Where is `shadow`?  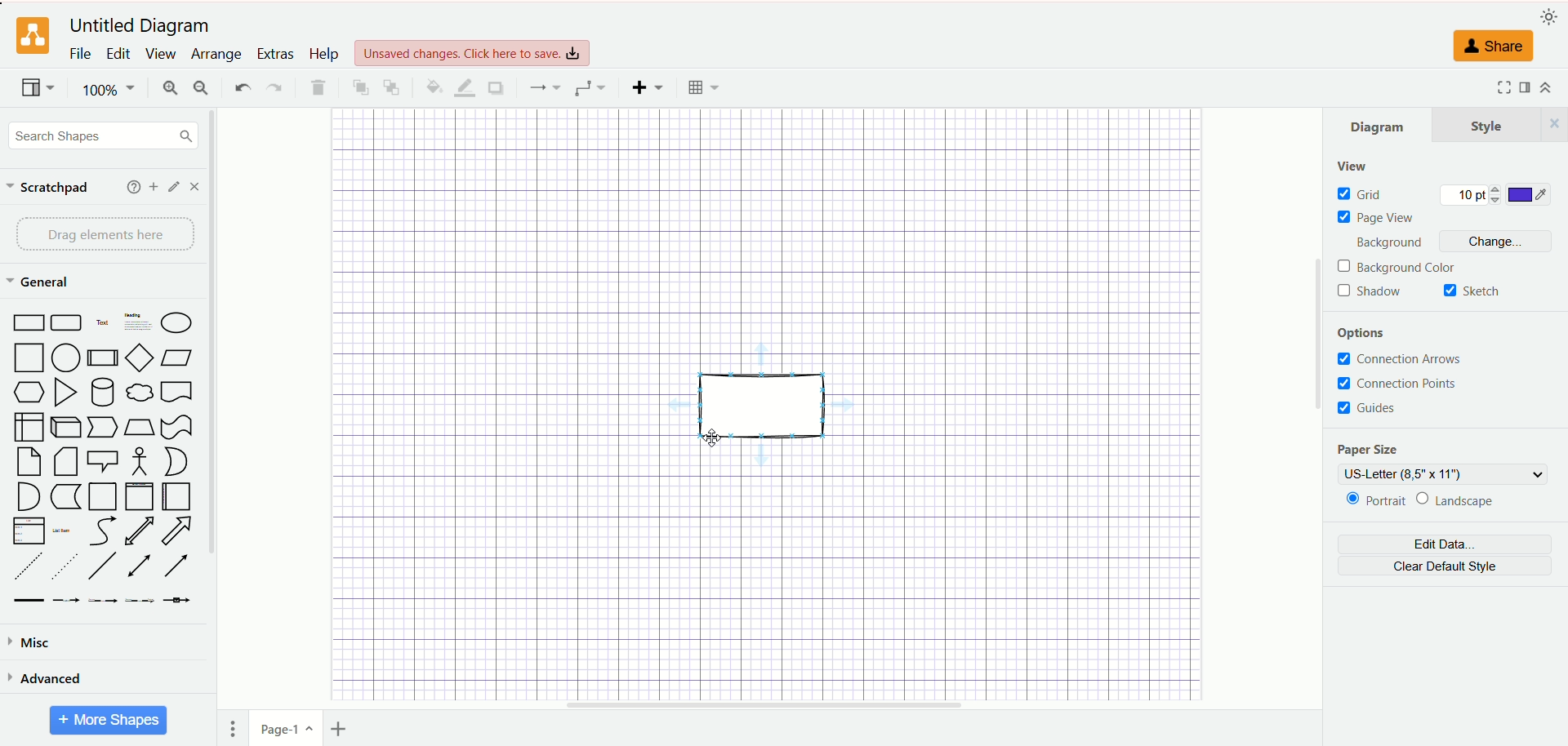
shadow is located at coordinates (1374, 292).